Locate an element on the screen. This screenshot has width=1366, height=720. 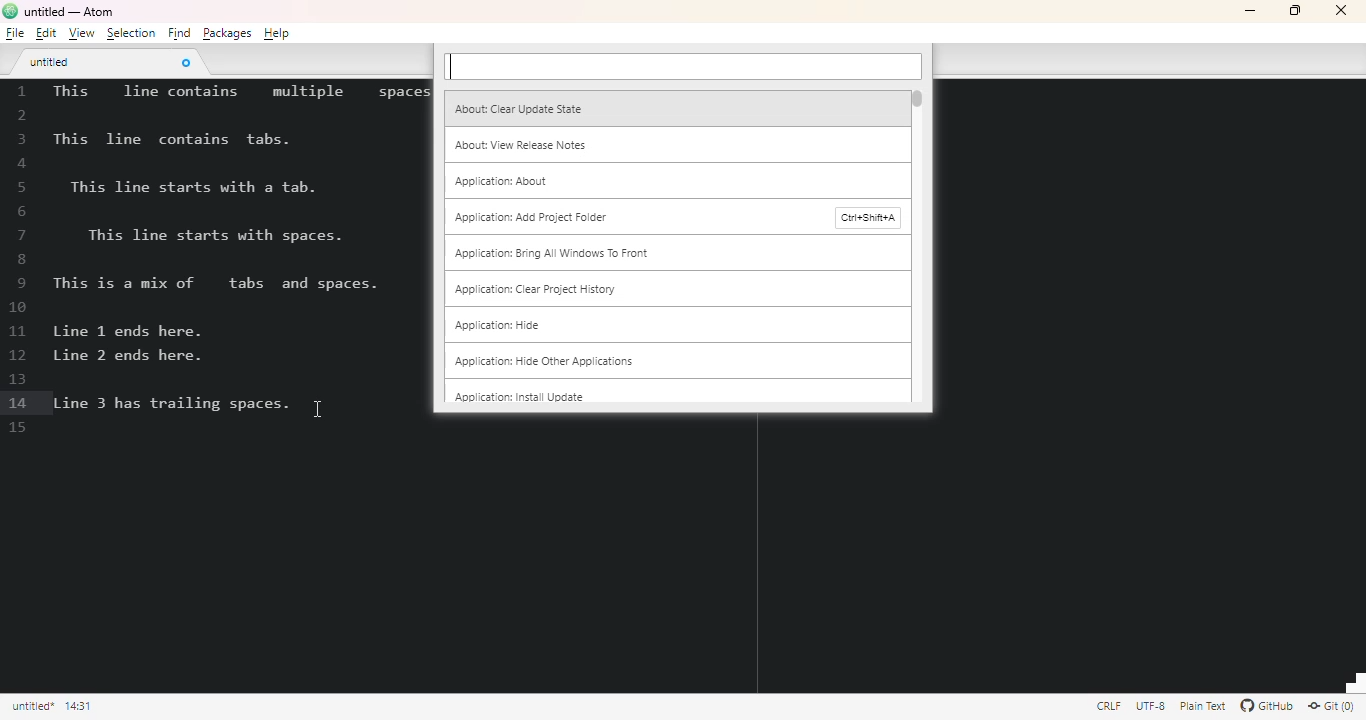
file uses CRLF file endings is located at coordinates (1109, 705).